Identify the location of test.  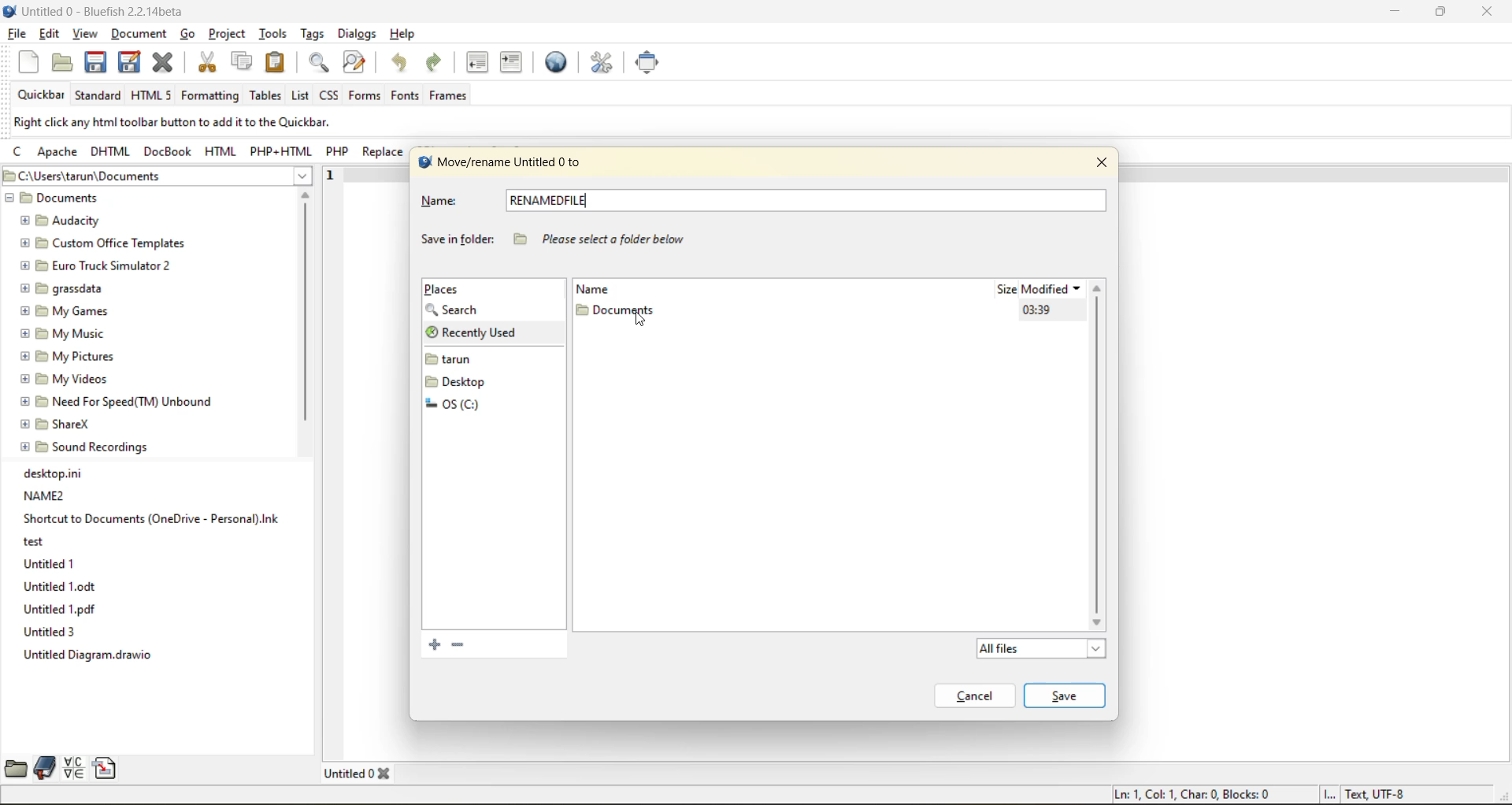
(35, 543).